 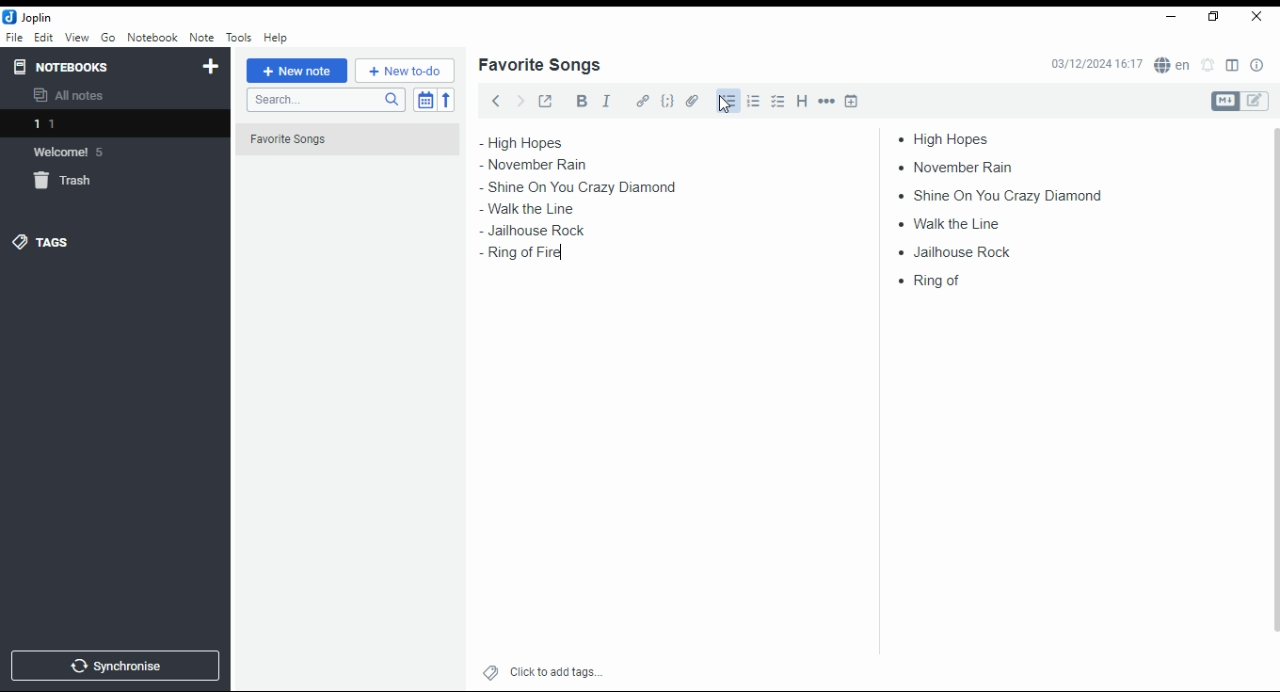 I want to click on november rain, so click(x=548, y=165).